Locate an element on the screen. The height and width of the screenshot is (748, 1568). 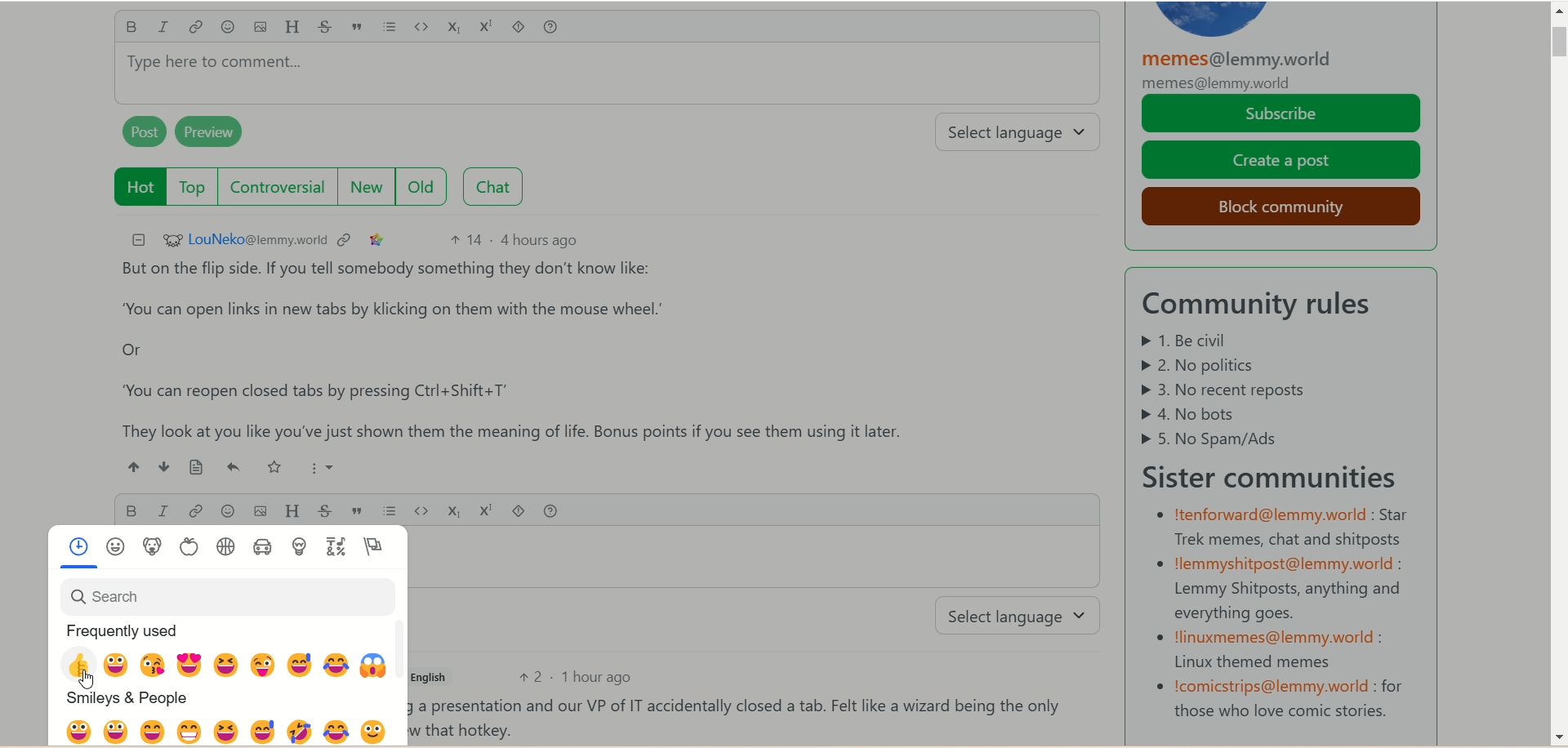
link is located at coordinates (198, 28).